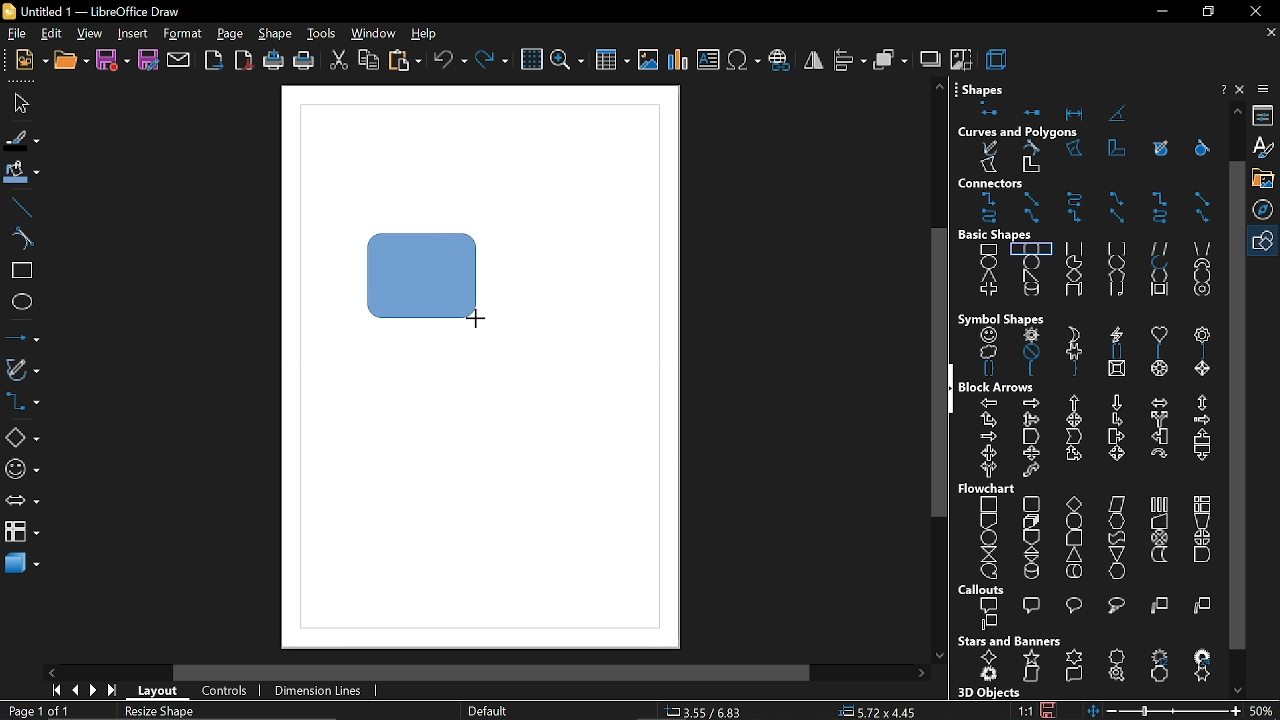  Describe the element at coordinates (339, 63) in the screenshot. I see `cut` at that location.